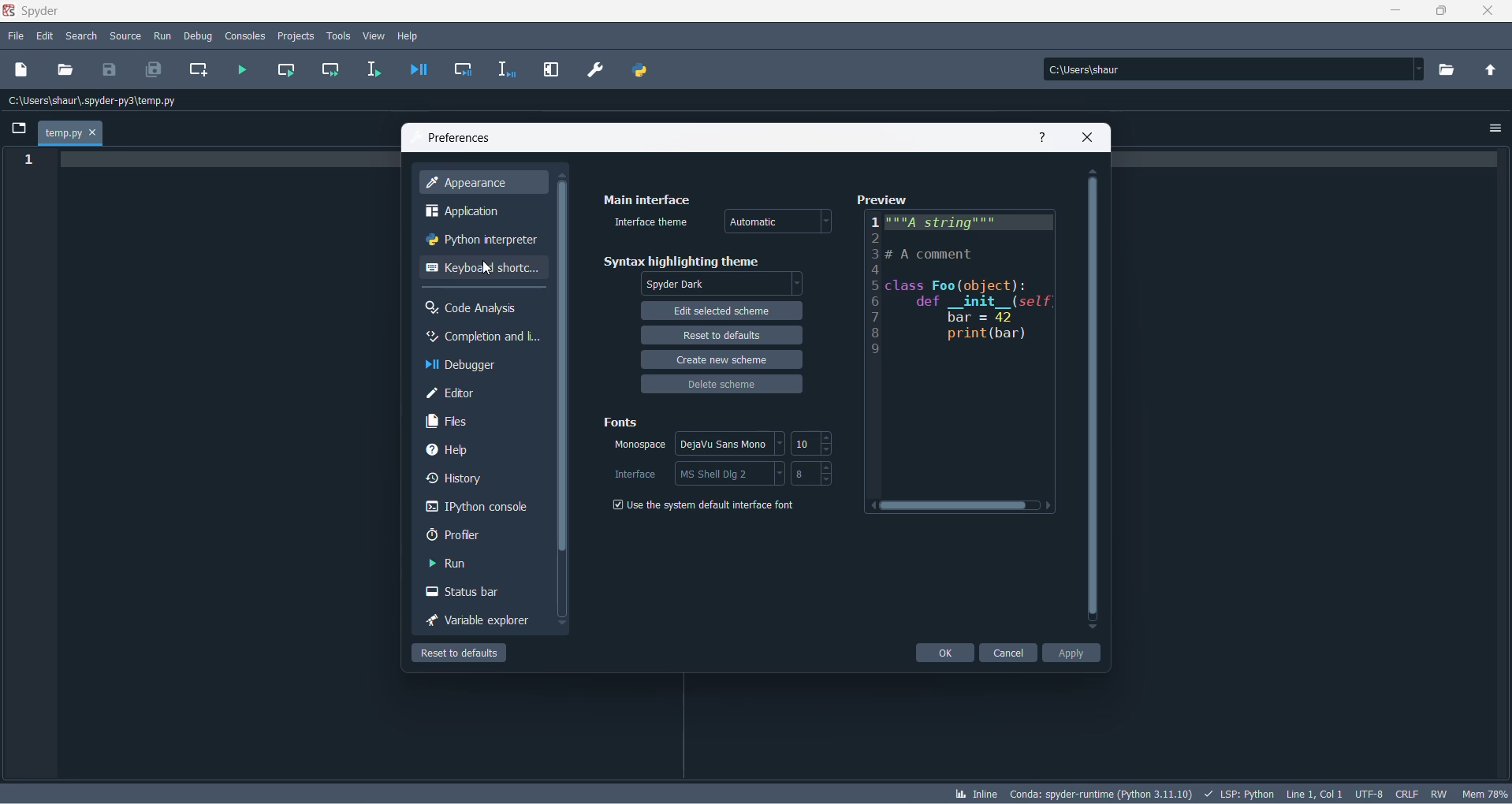 This screenshot has width=1512, height=804. What do you see at coordinates (1496, 125) in the screenshot?
I see `options` at bounding box center [1496, 125].